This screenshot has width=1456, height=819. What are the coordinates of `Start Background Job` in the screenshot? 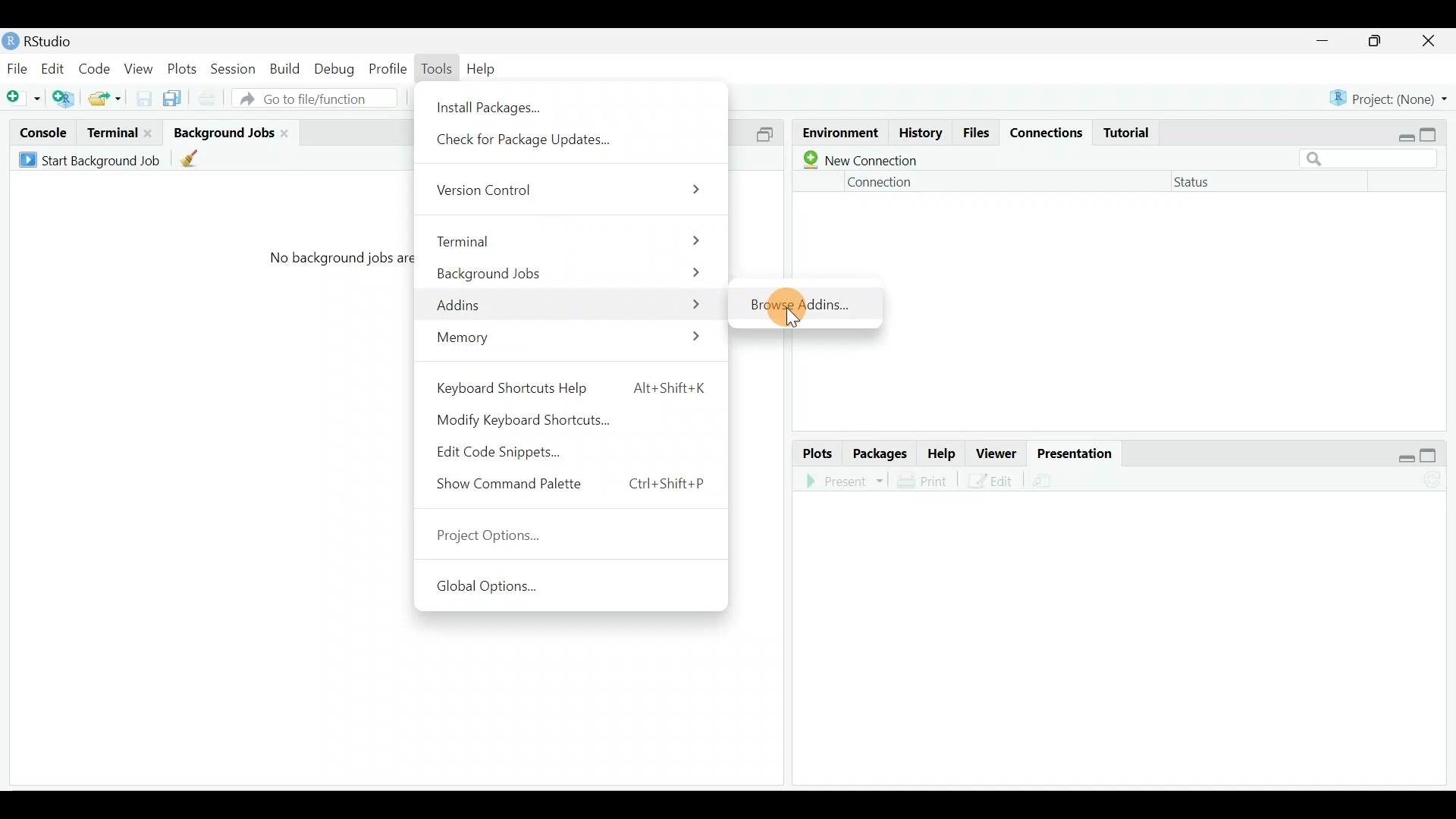 It's located at (93, 161).